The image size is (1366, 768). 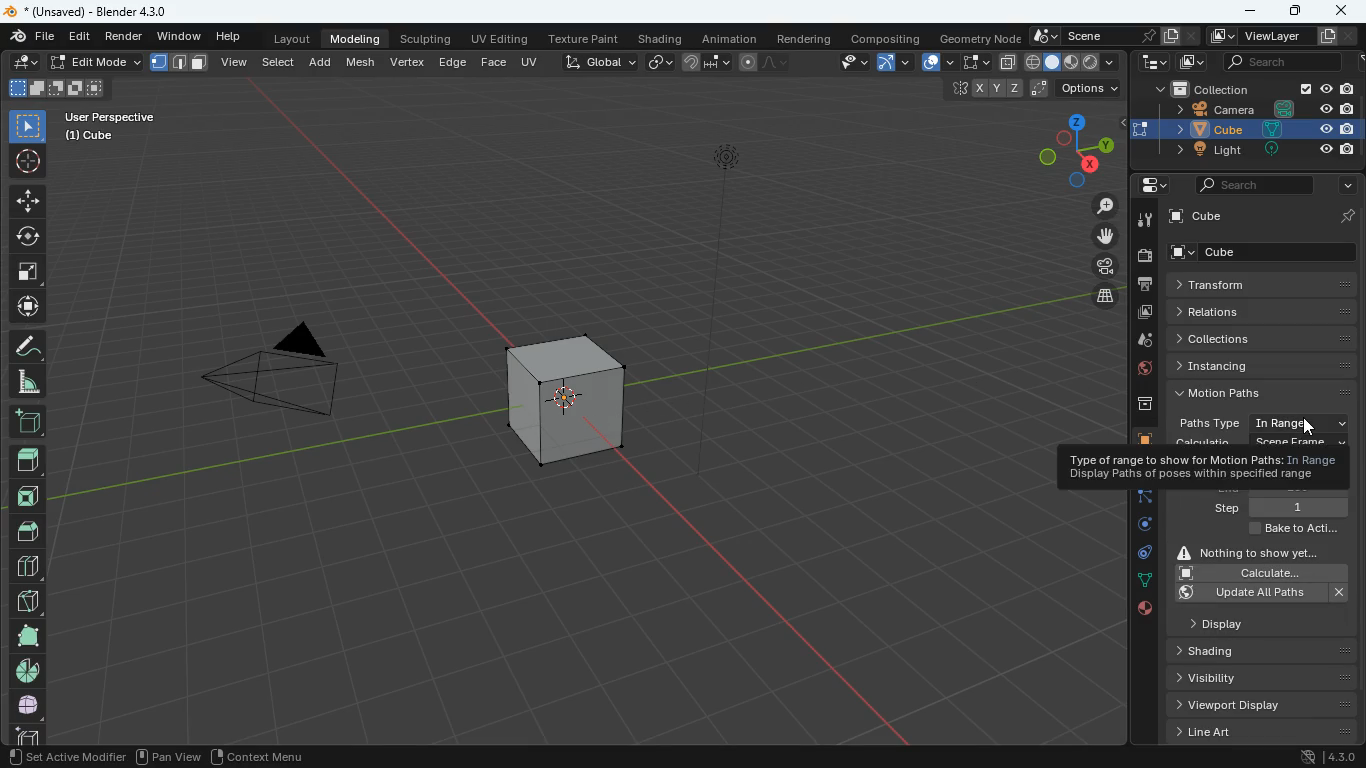 I want to click on light, so click(x=1260, y=150).